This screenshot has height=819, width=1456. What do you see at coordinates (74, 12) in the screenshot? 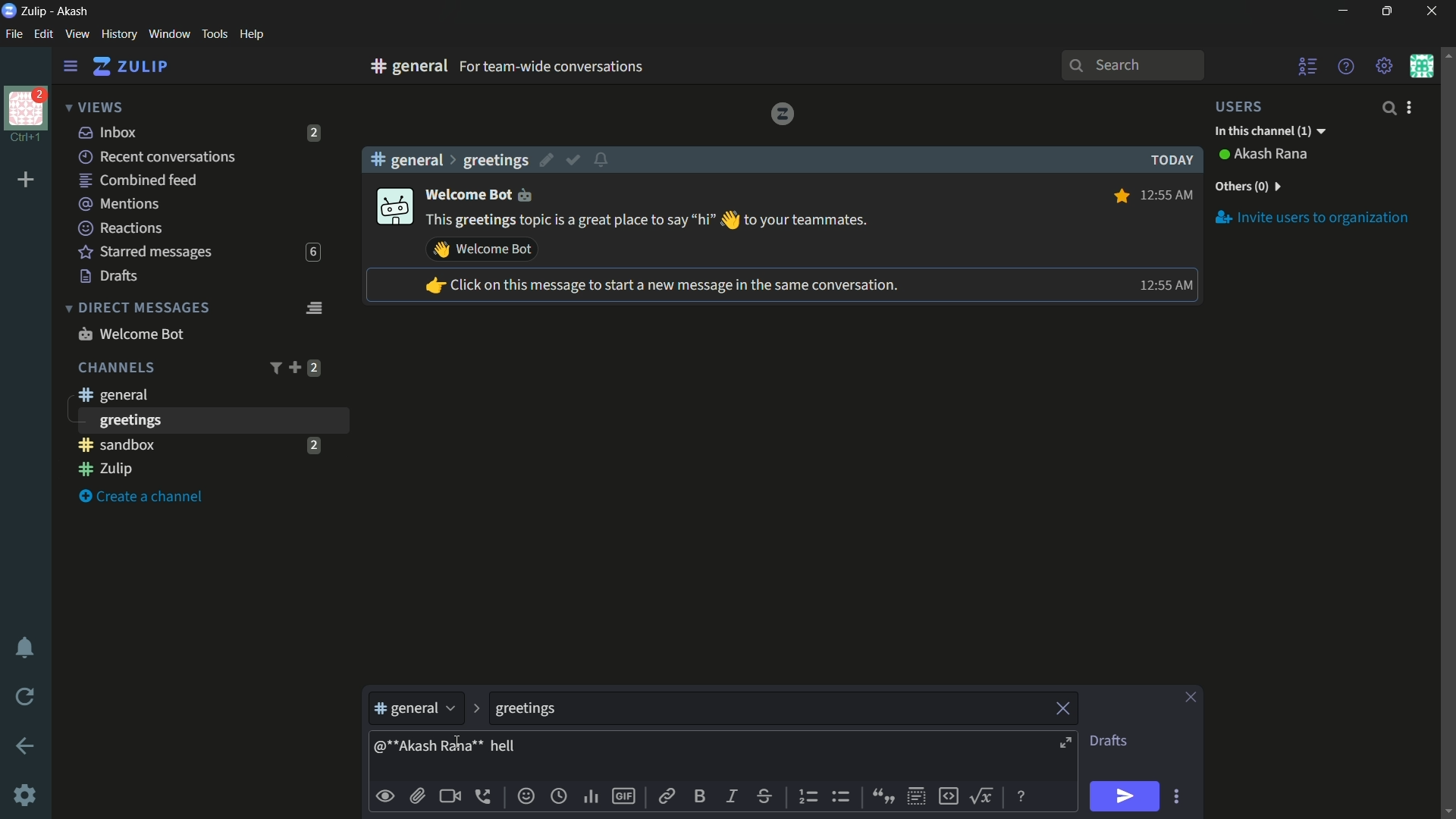
I see `Akash` at bounding box center [74, 12].